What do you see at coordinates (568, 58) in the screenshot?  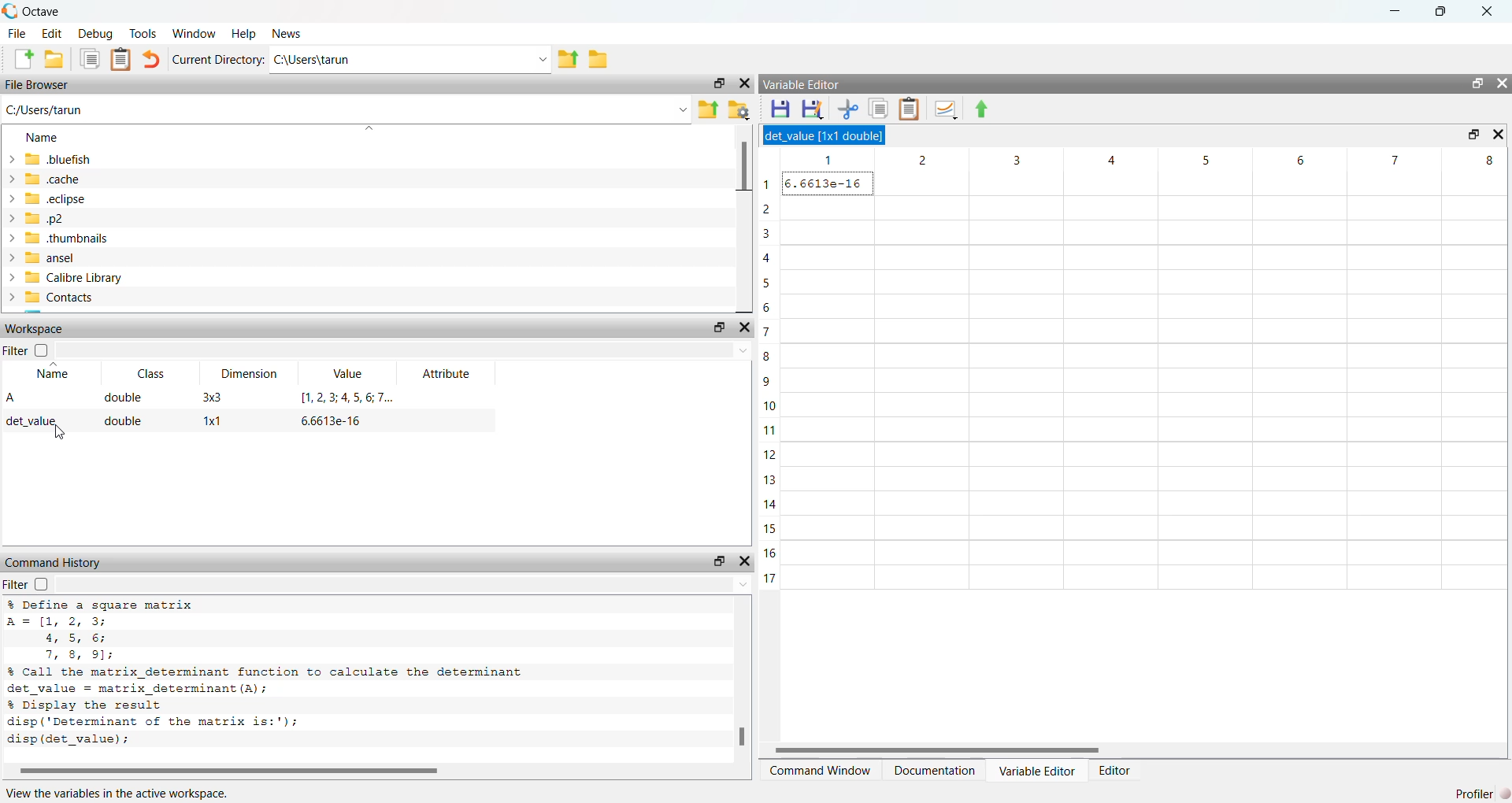 I see `one directory up` at bounding box center [568, 58].